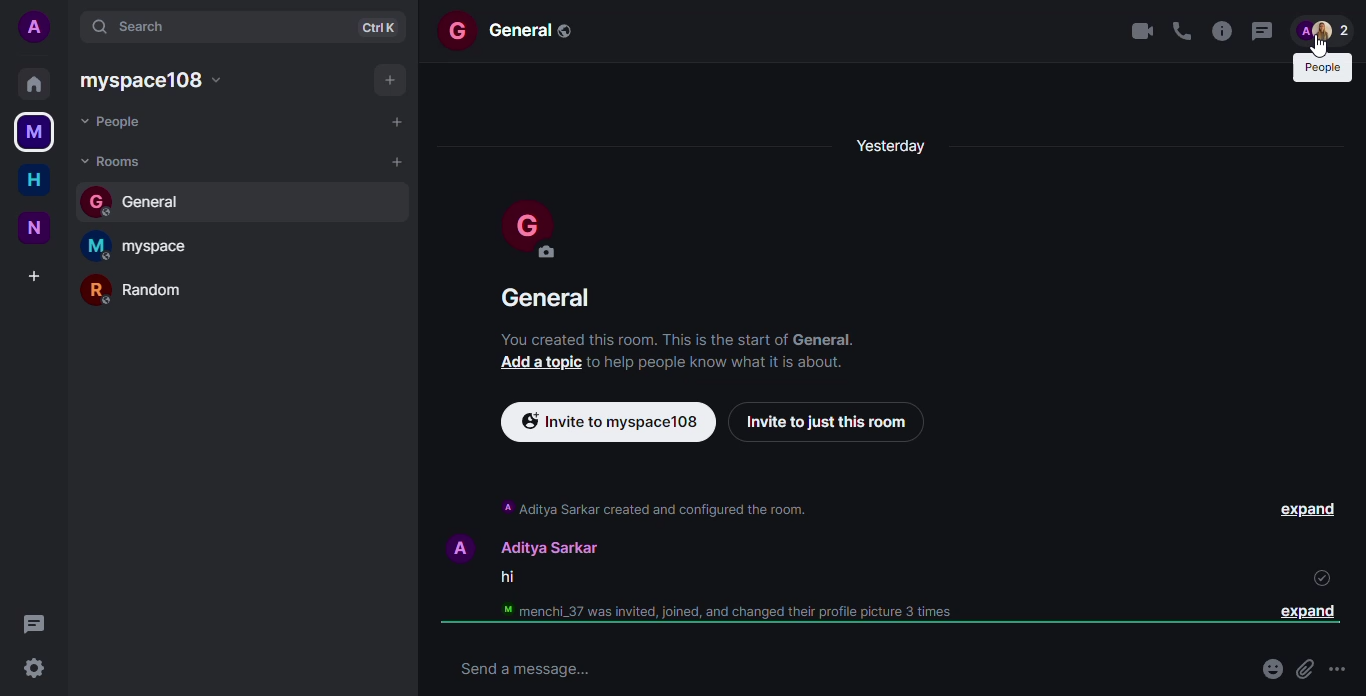 The image size is (1366, 696). Describe the element at coordinates (1304, 510) in the screenshot. I see `expand` at that location.